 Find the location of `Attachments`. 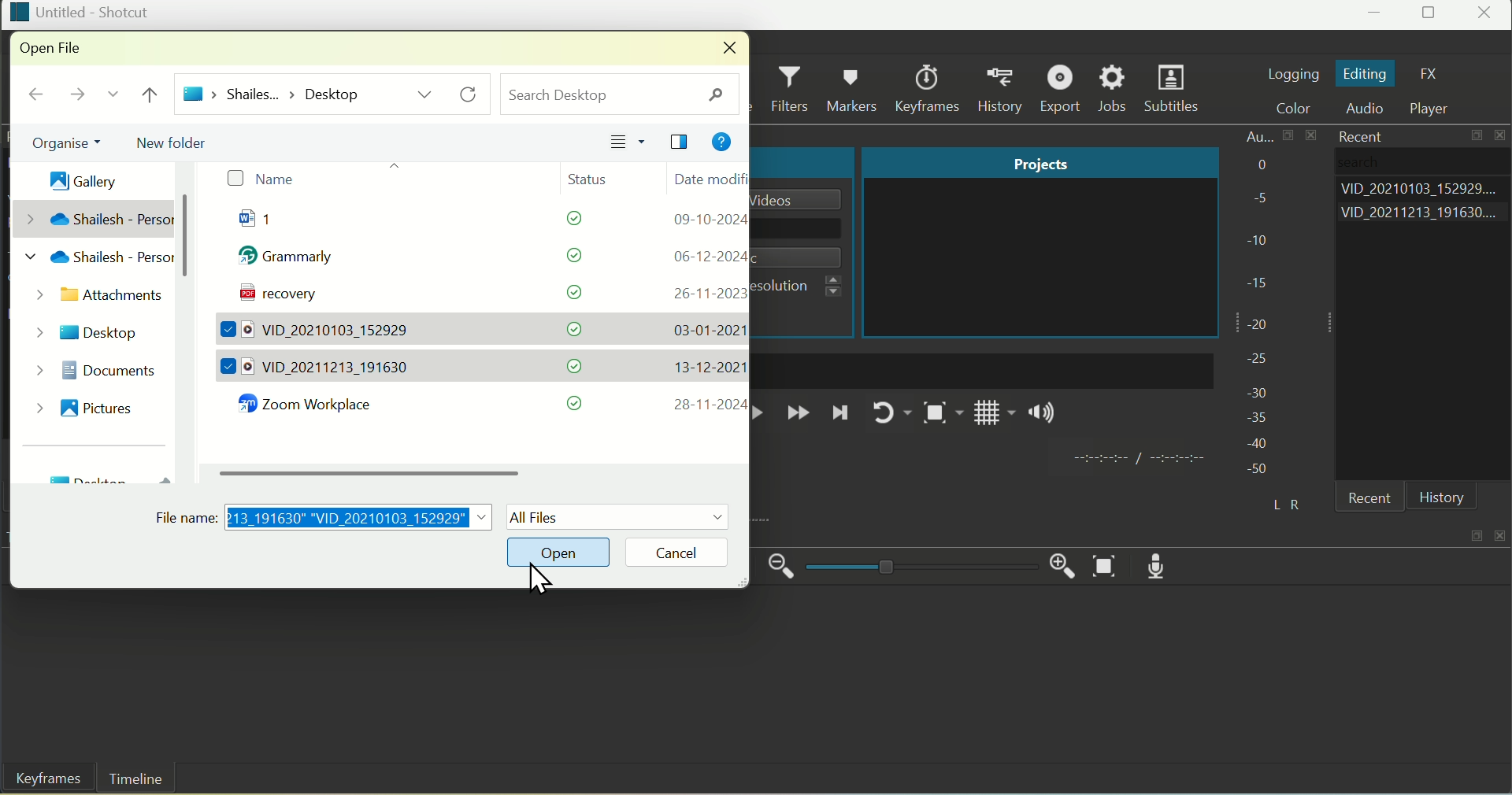

Attachments is located at coordinates (97, 297).